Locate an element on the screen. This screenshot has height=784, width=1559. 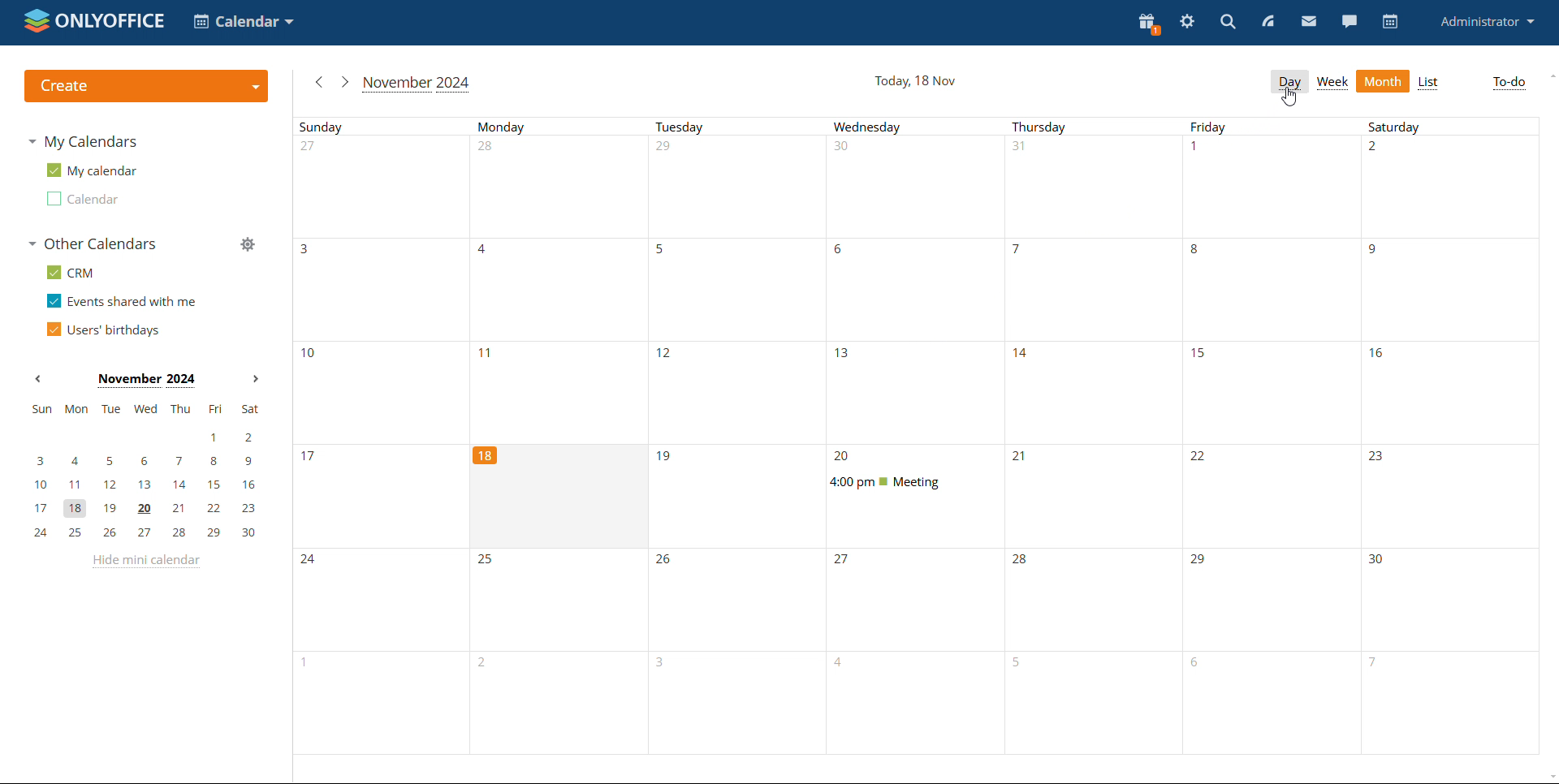
month view is located at coordinates (1384, 80).